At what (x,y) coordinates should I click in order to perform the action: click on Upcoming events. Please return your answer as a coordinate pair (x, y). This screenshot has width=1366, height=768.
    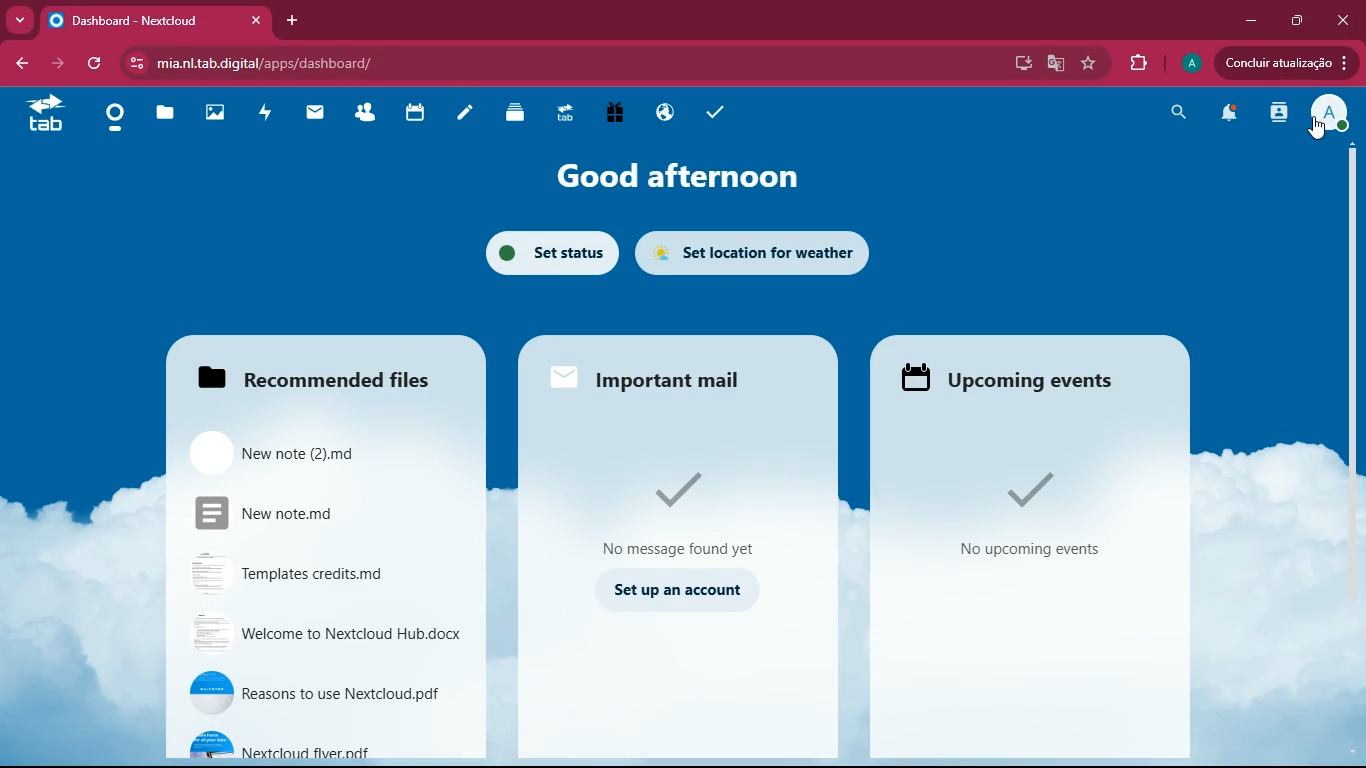
    Looking at the image, I should click on (1018, 376).